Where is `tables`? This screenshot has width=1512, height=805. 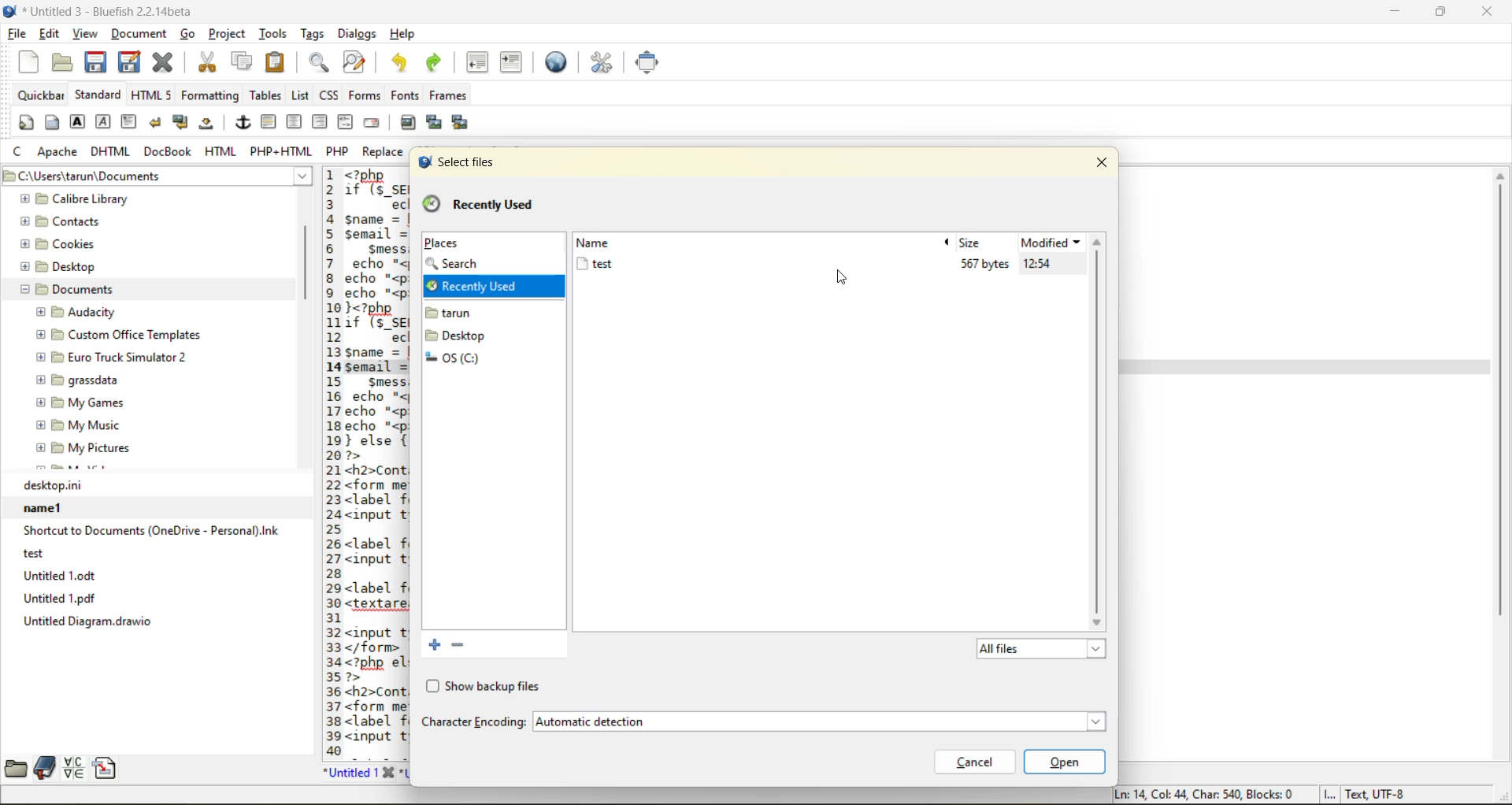
tables is located at coordinates (264, 95).